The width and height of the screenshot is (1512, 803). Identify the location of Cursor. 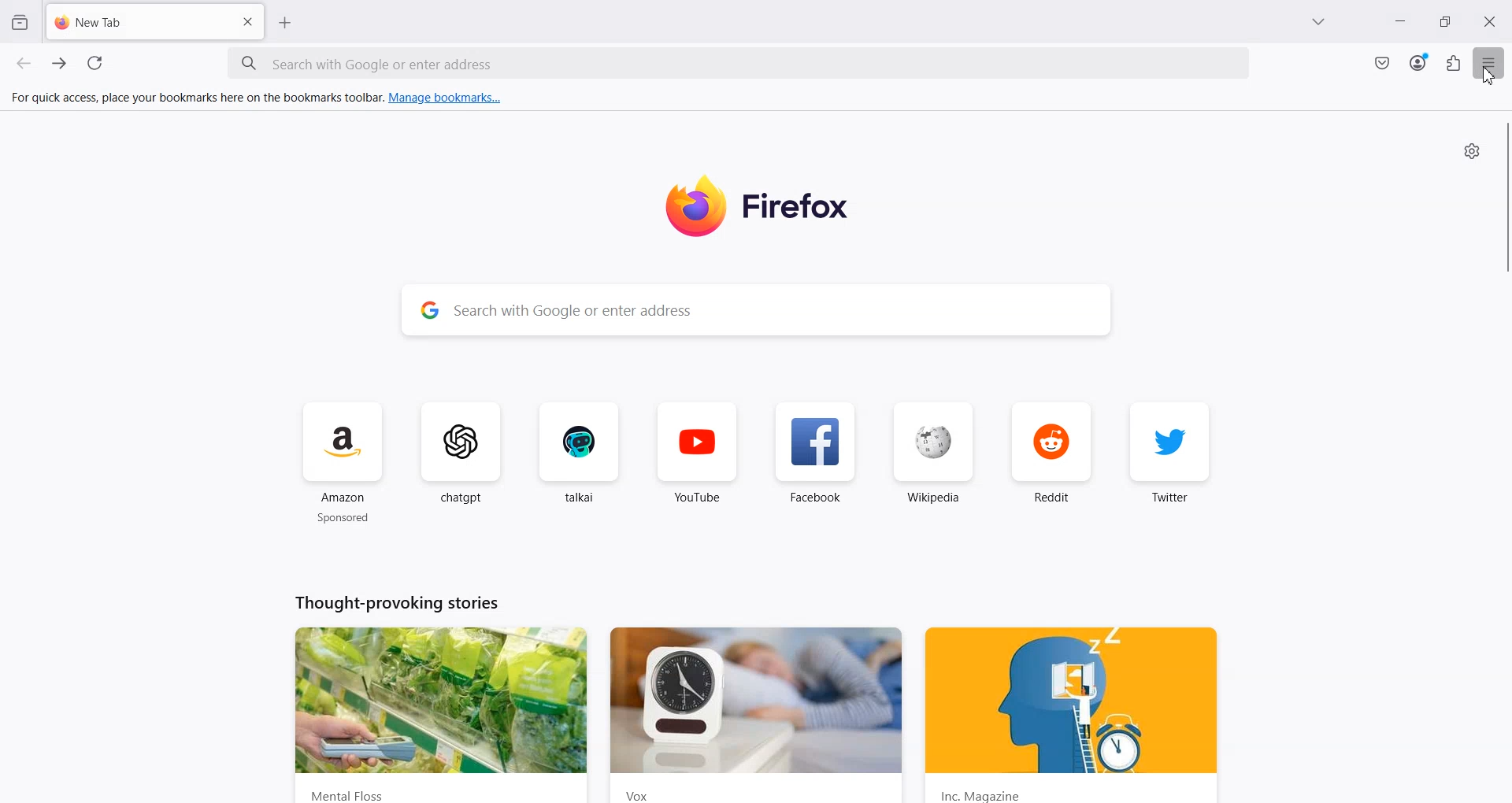
(1489, 76).